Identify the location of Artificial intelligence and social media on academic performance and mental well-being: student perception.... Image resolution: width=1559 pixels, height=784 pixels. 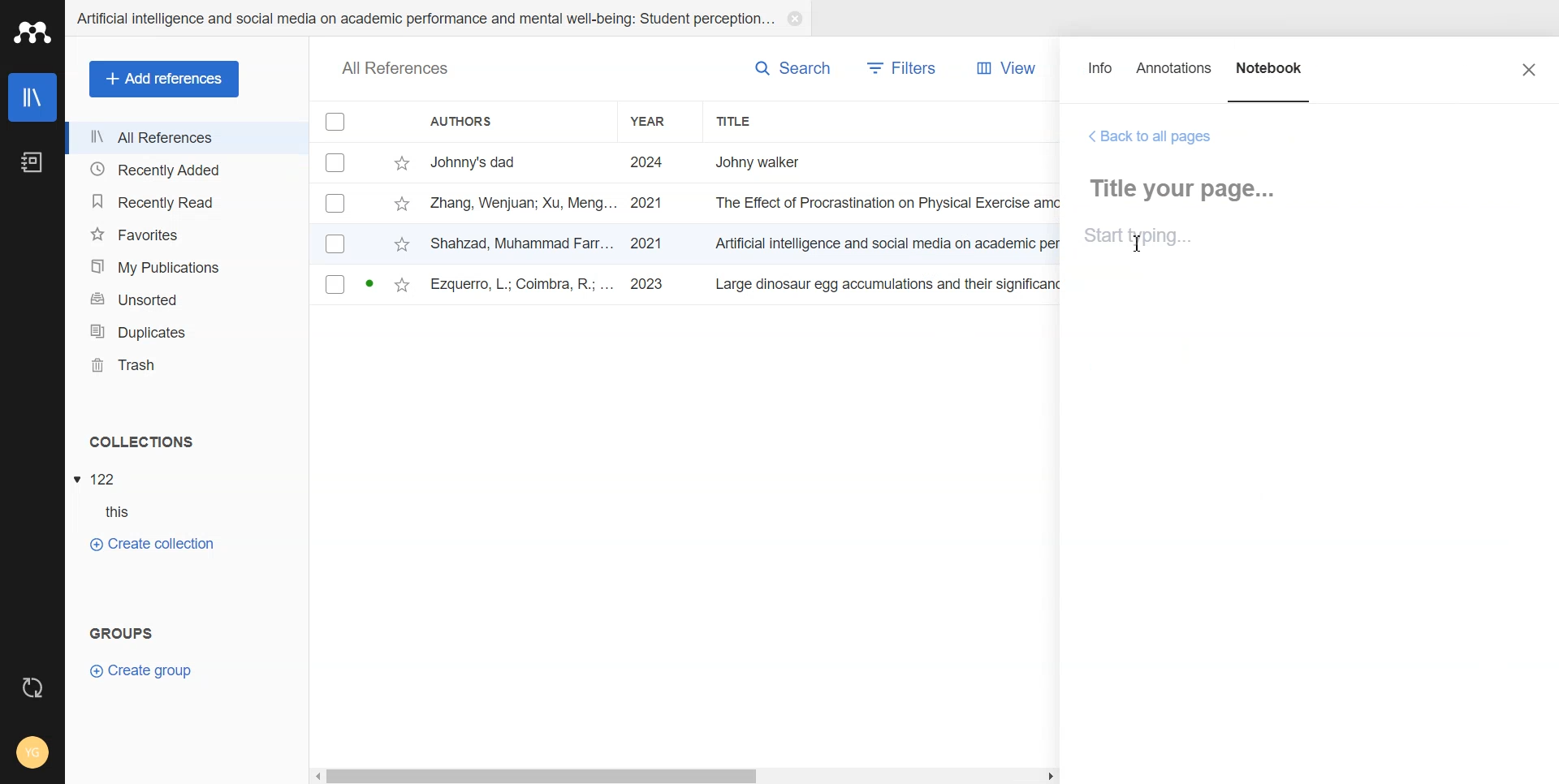
(424, 19).